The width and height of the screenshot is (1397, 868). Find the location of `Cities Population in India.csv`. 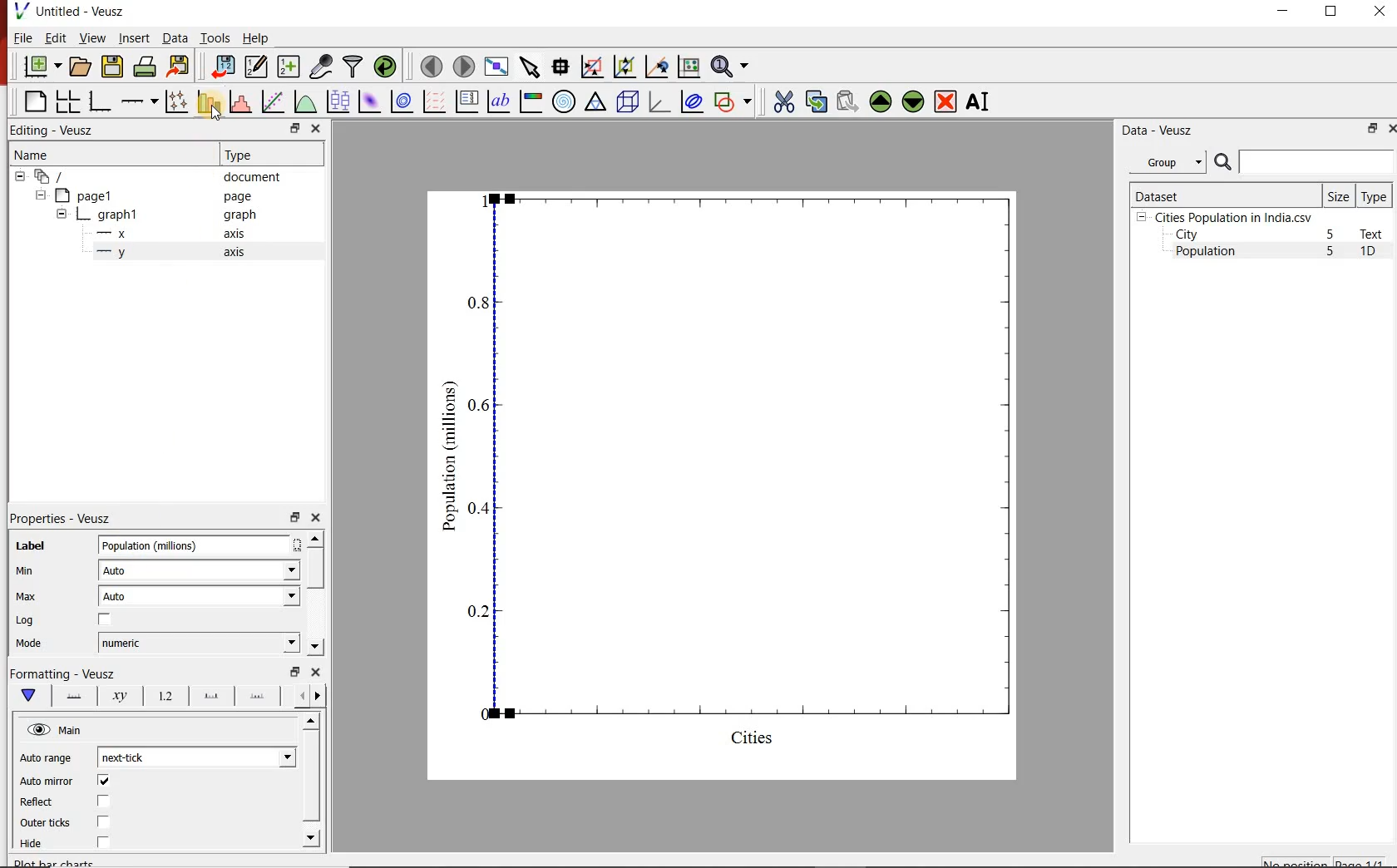

Cities Population in India.csv is located at coordinates (1232, 217).